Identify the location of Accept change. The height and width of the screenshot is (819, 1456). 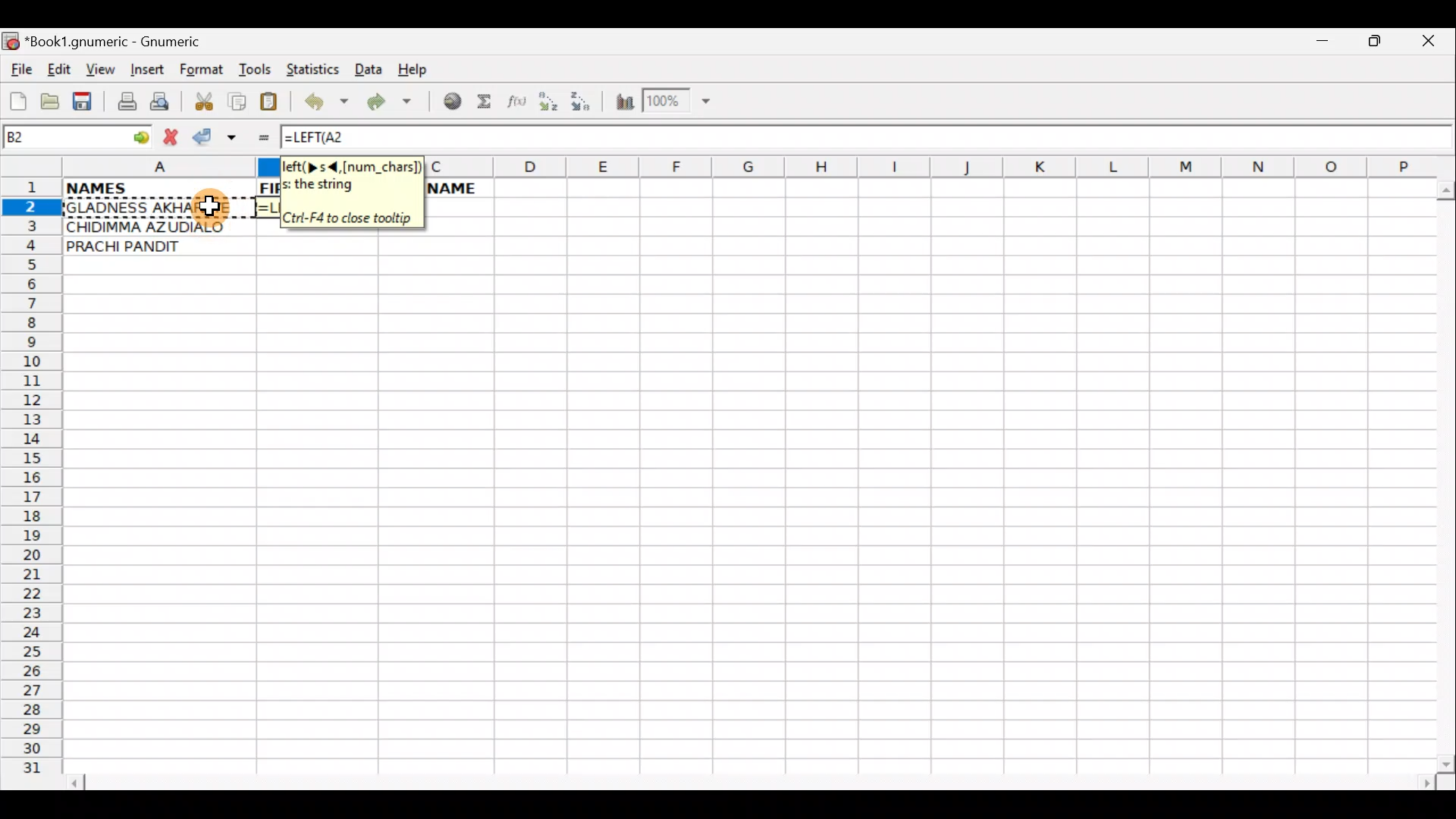
(218, 137).